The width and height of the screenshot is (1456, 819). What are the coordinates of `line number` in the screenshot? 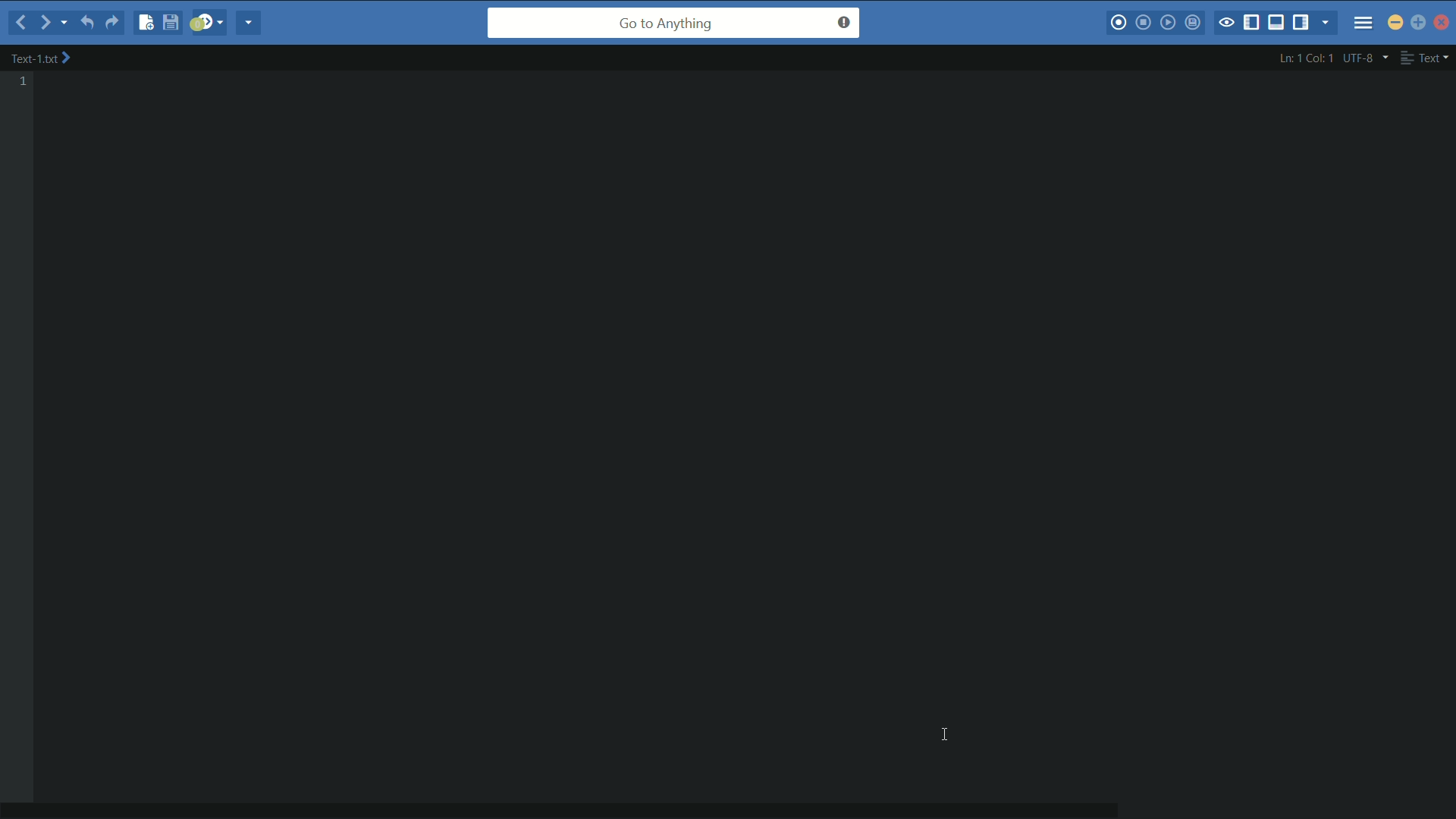 It's located at (24, 82).